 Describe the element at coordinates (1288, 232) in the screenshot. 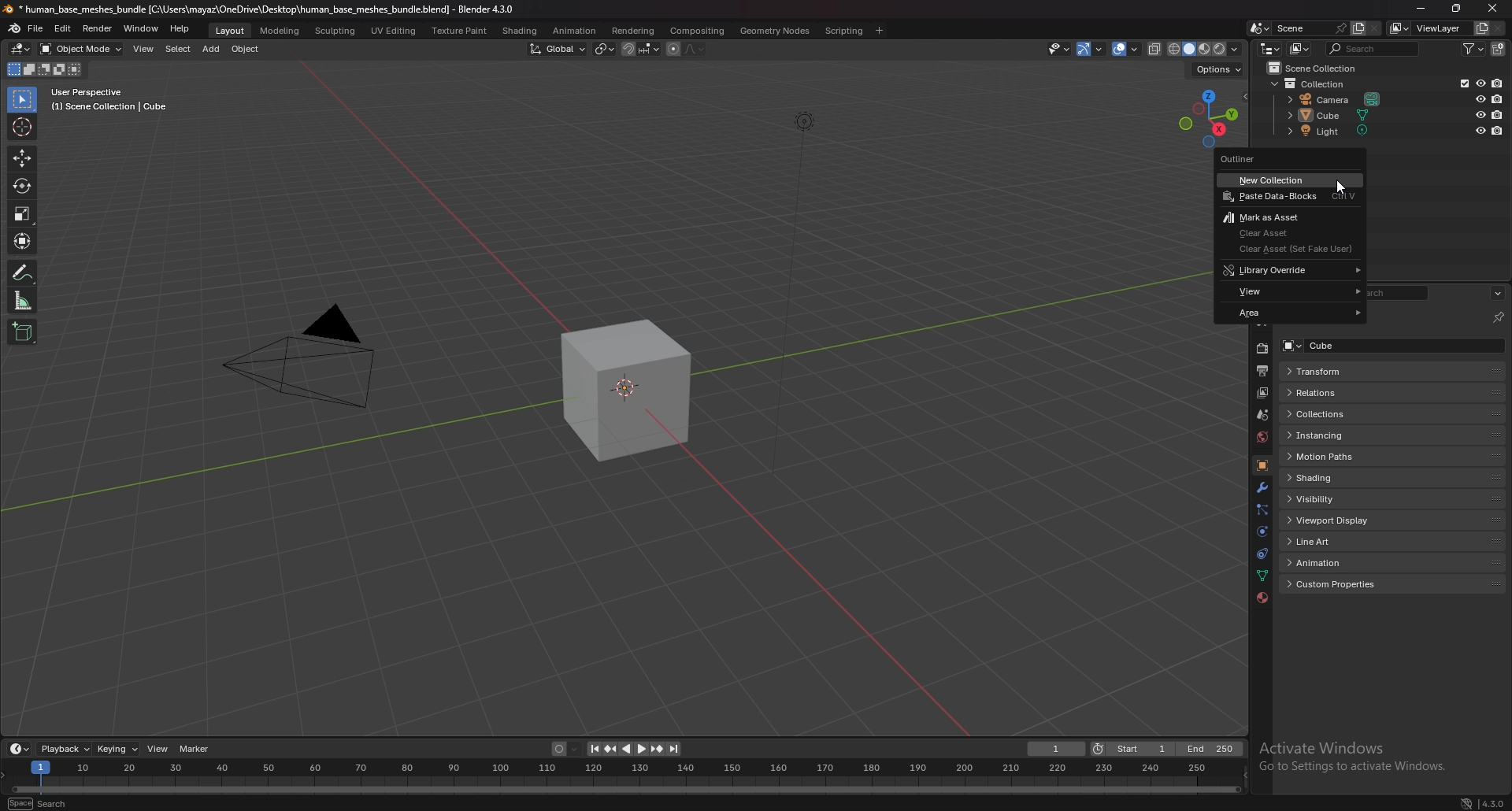

I see `clear asset` at that location.